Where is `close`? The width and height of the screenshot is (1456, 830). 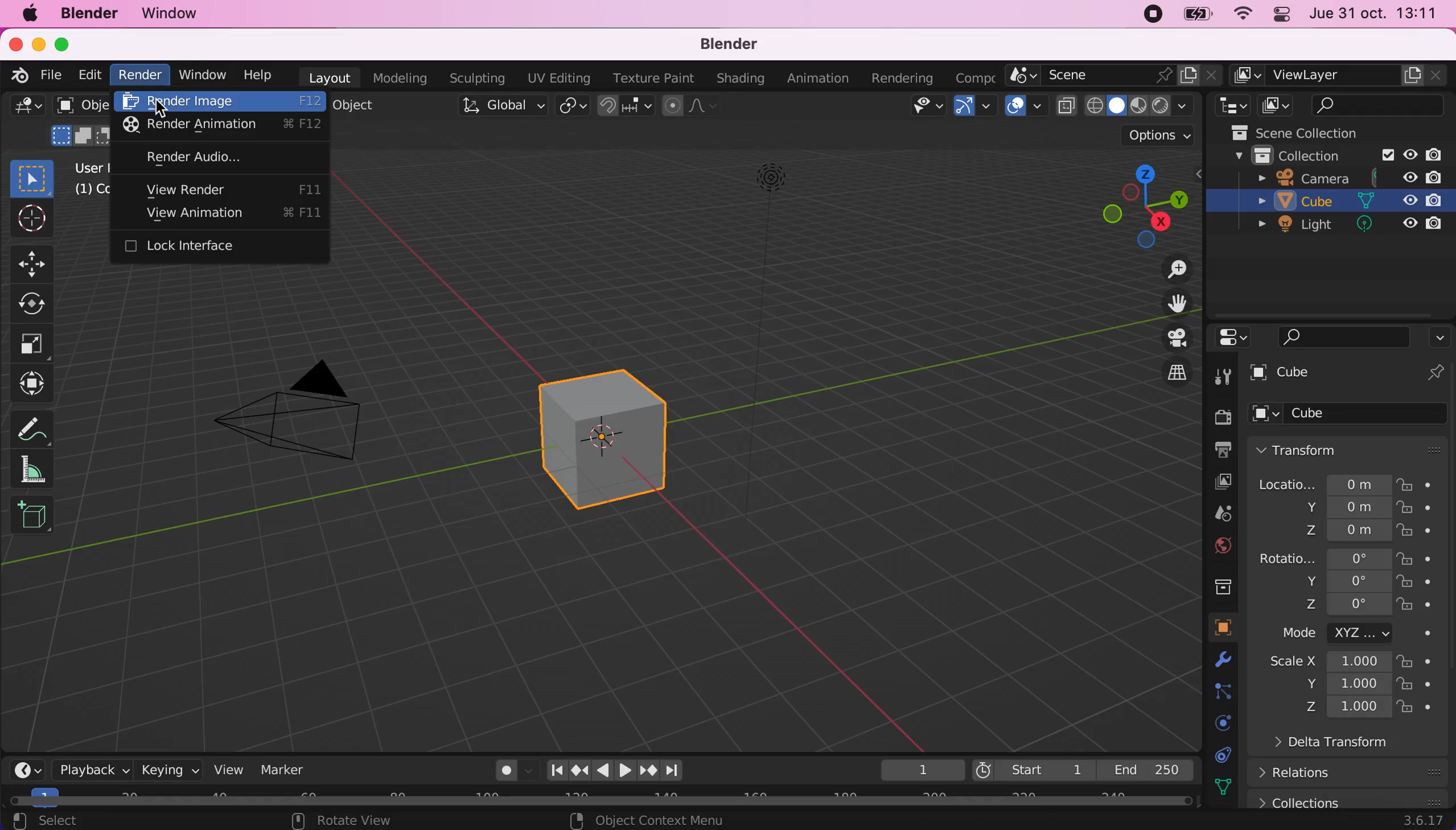 close is located at coordinates (14, 44).